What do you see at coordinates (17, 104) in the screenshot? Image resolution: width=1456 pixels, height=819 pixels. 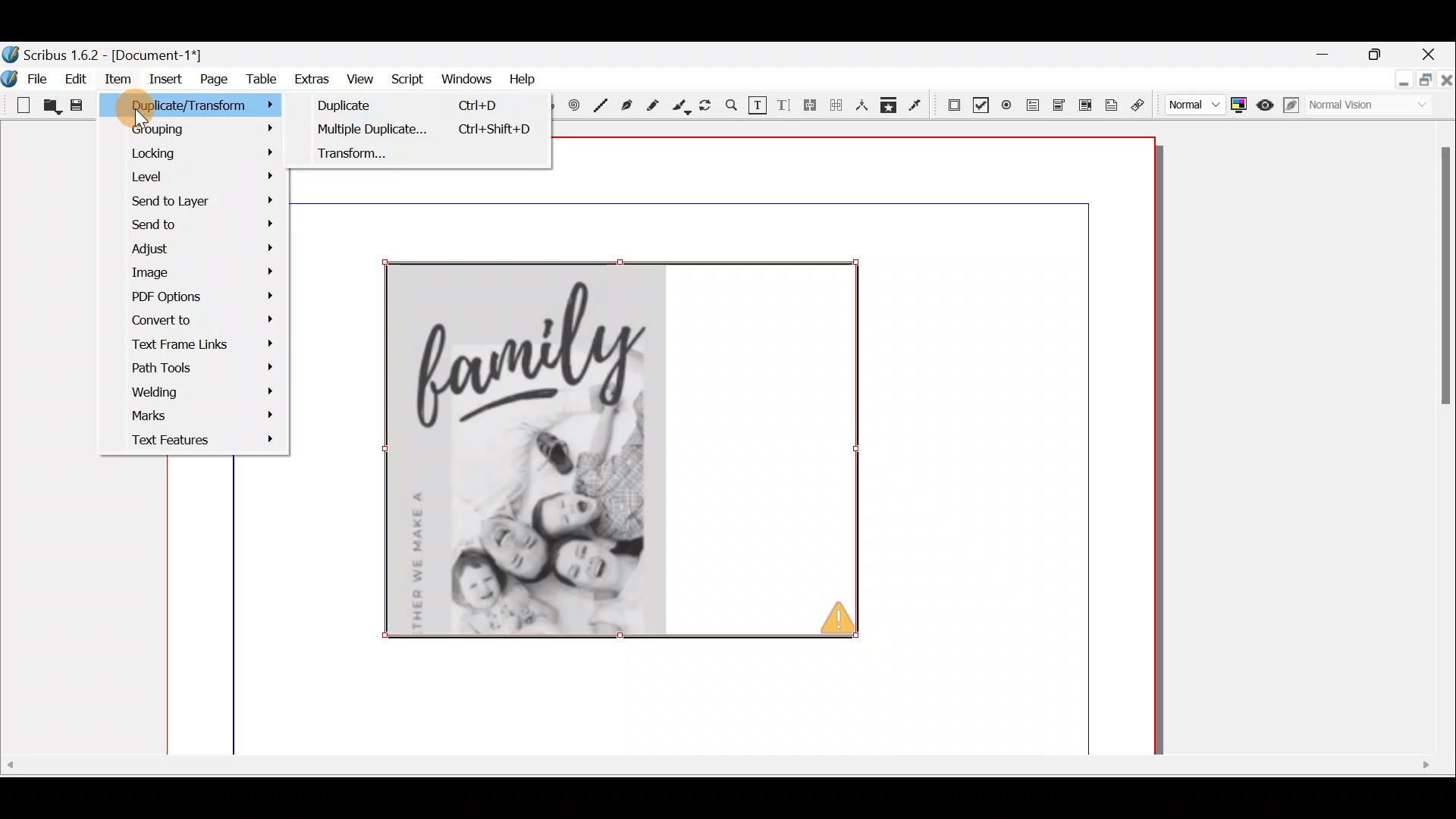 I see `New` at bounding box center [17, 104].